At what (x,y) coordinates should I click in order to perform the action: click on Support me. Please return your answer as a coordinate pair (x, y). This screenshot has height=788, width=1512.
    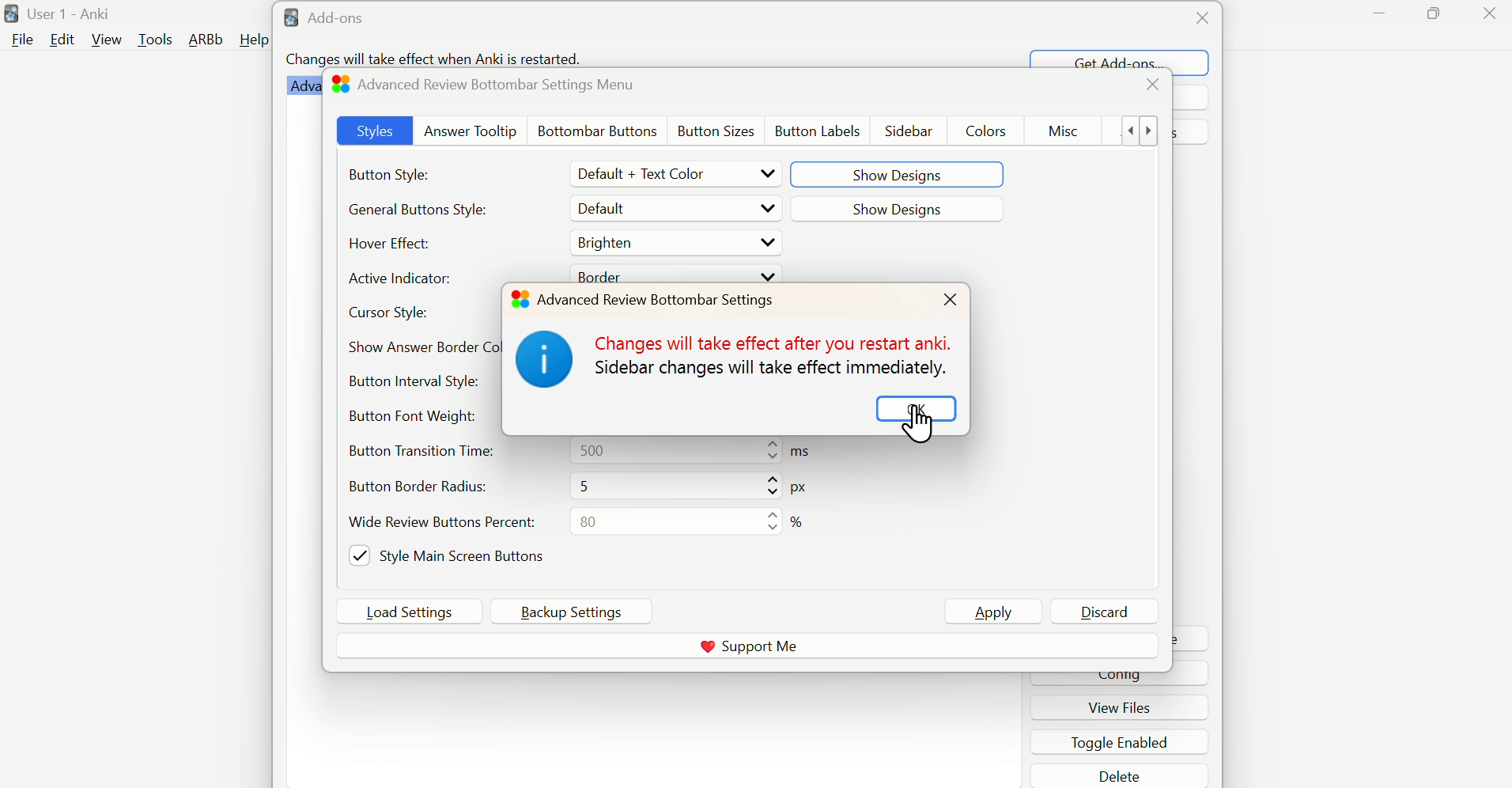
    Looking at the image, I should click on (745, 648).